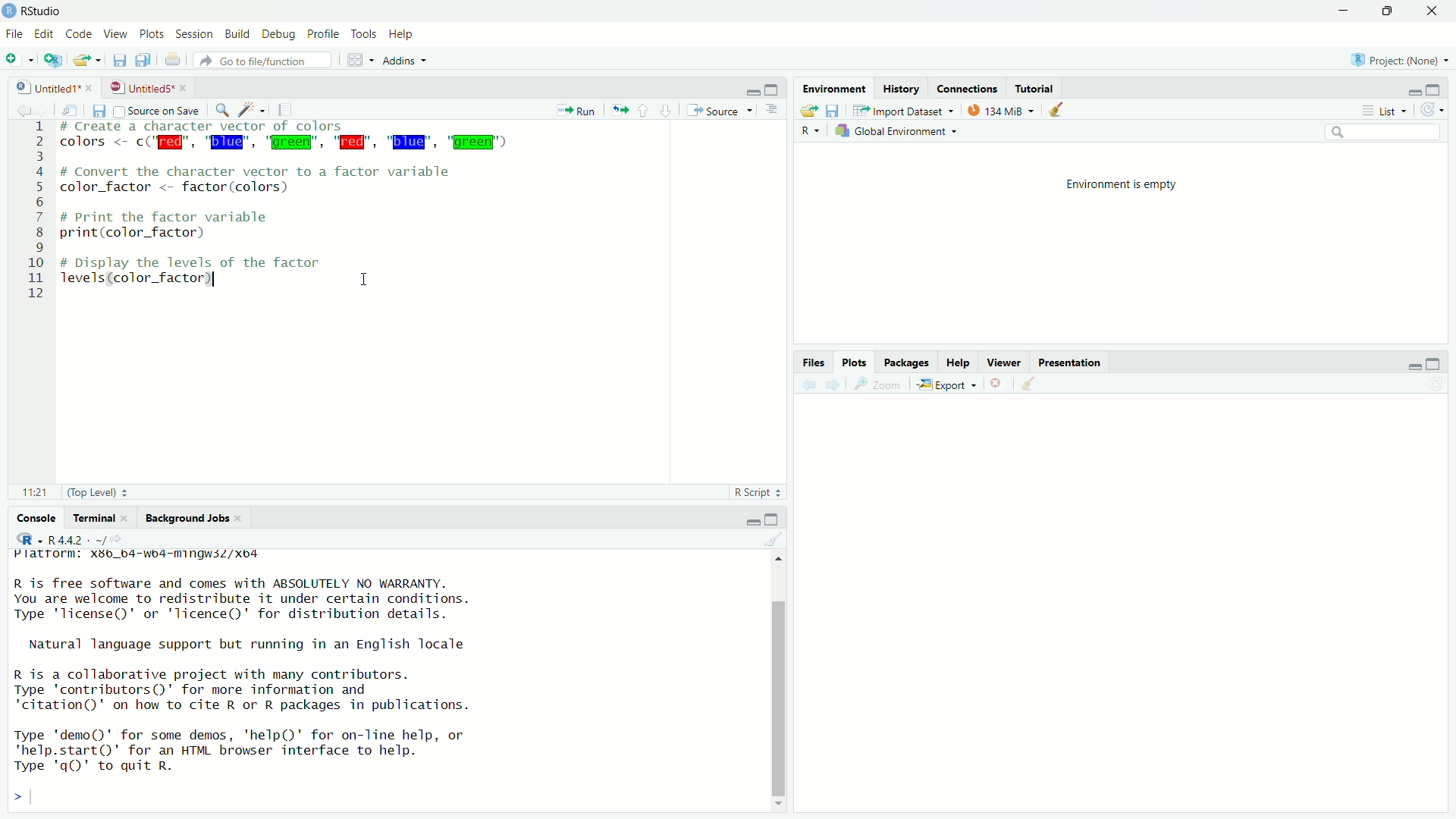  What do you see at coordinates (774, 517) in the screenshot?
I see `maximize` at bounding box center [774, 517].